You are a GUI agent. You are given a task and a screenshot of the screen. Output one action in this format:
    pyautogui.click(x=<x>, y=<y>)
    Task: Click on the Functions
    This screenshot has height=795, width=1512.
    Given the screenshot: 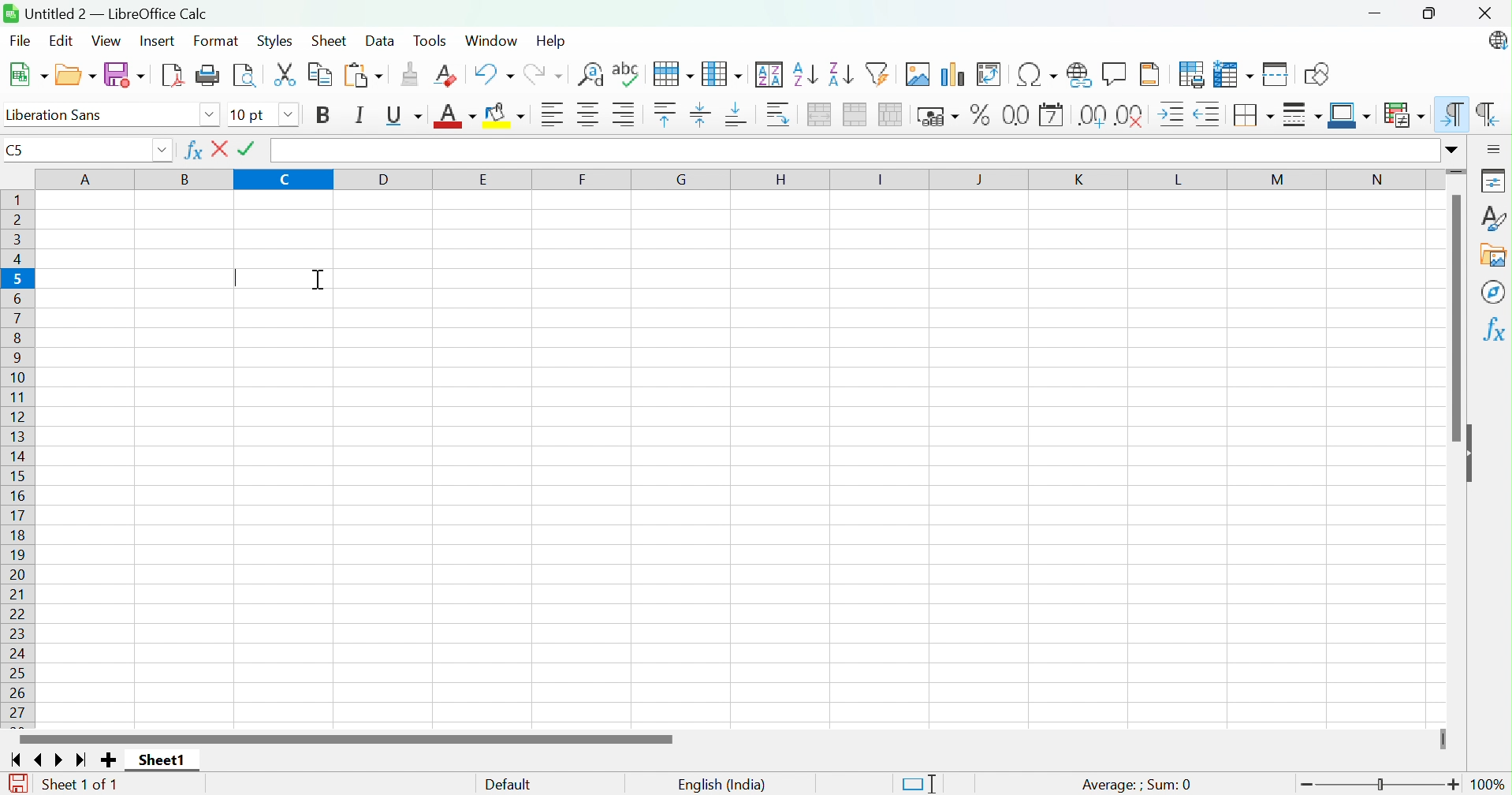 What is the action you would take?
    pyautogui.click(x=1493, y=332)
    